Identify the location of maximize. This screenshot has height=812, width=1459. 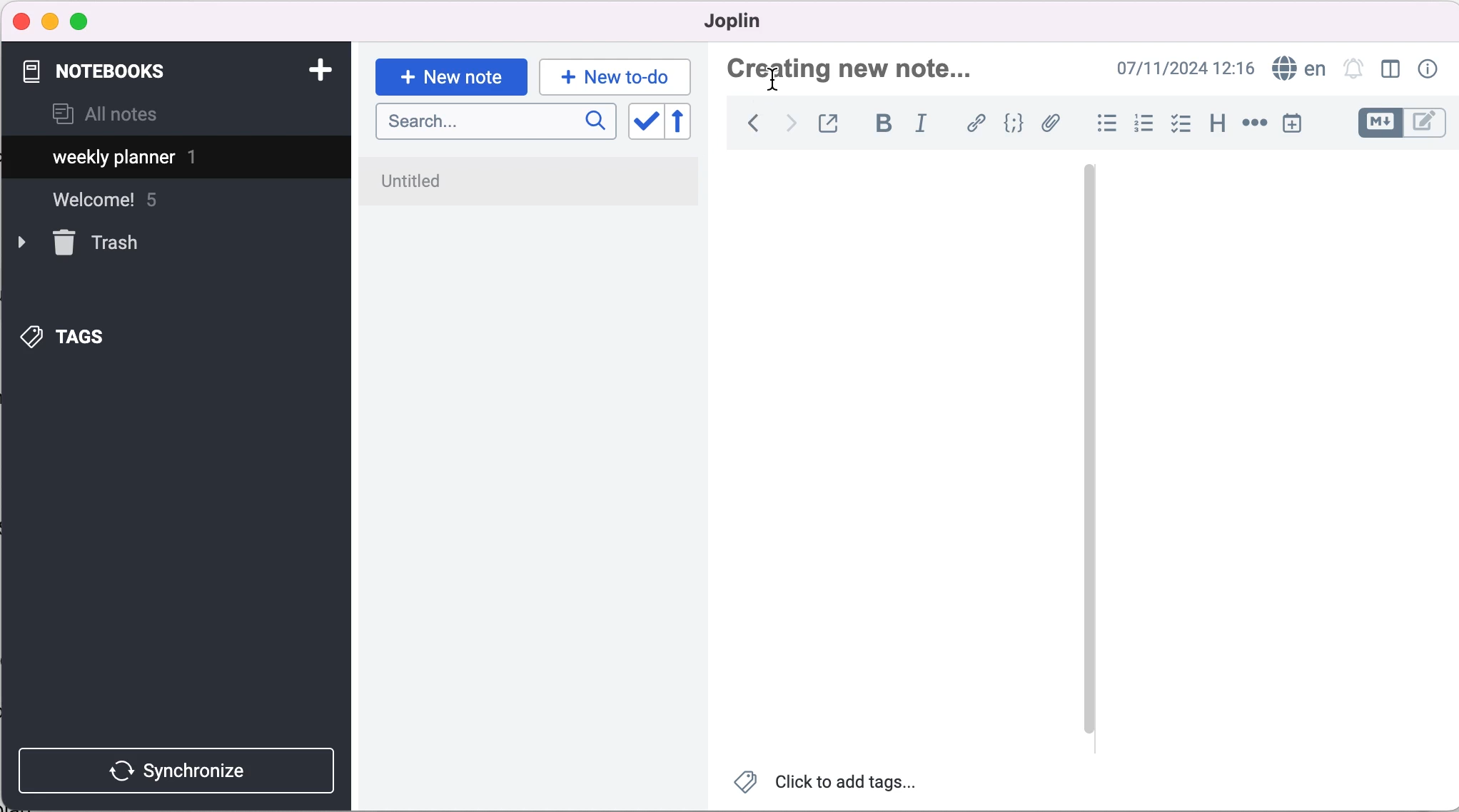
(82, 22).